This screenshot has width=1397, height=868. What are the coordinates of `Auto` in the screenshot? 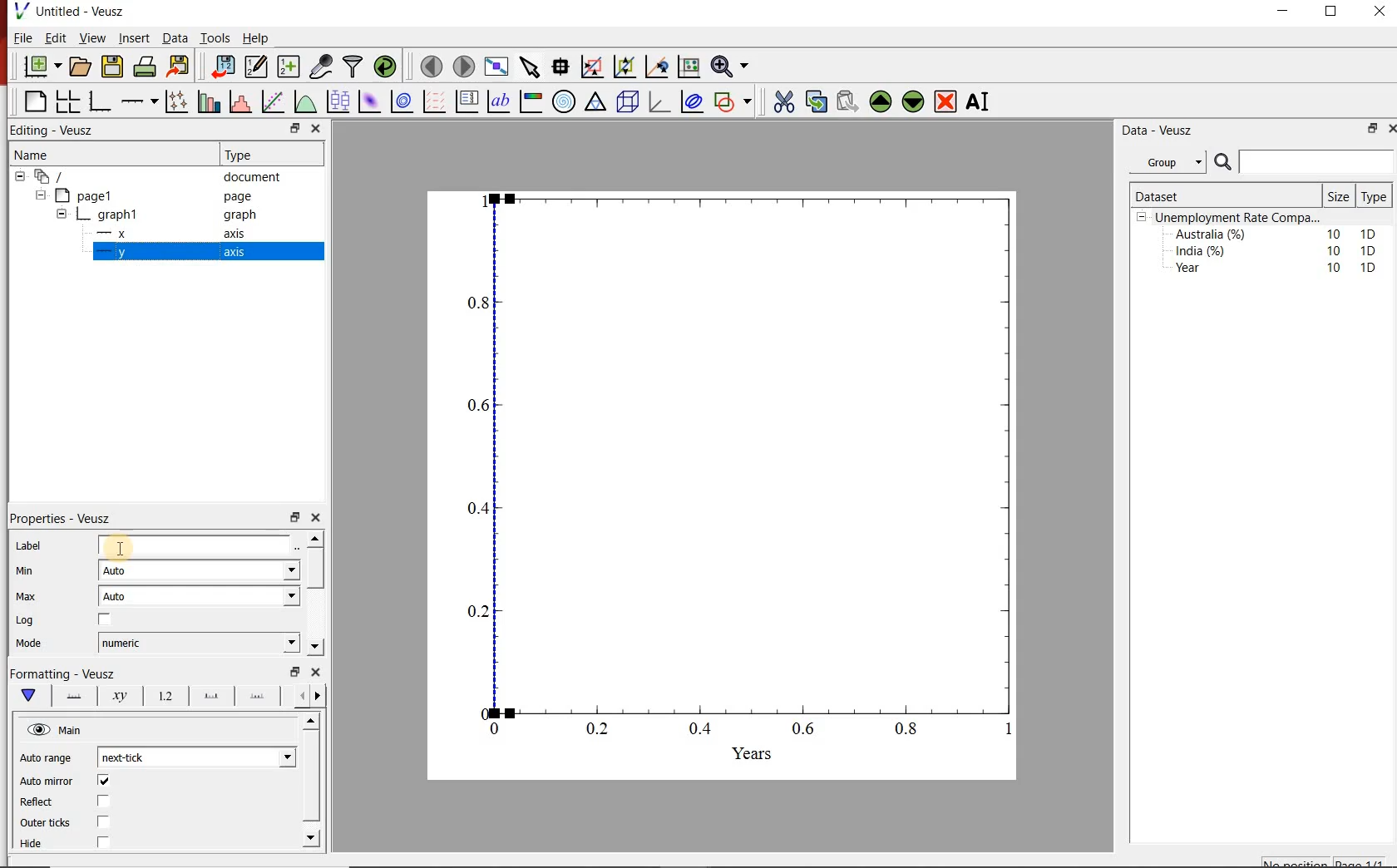 It's located at (200, 570).